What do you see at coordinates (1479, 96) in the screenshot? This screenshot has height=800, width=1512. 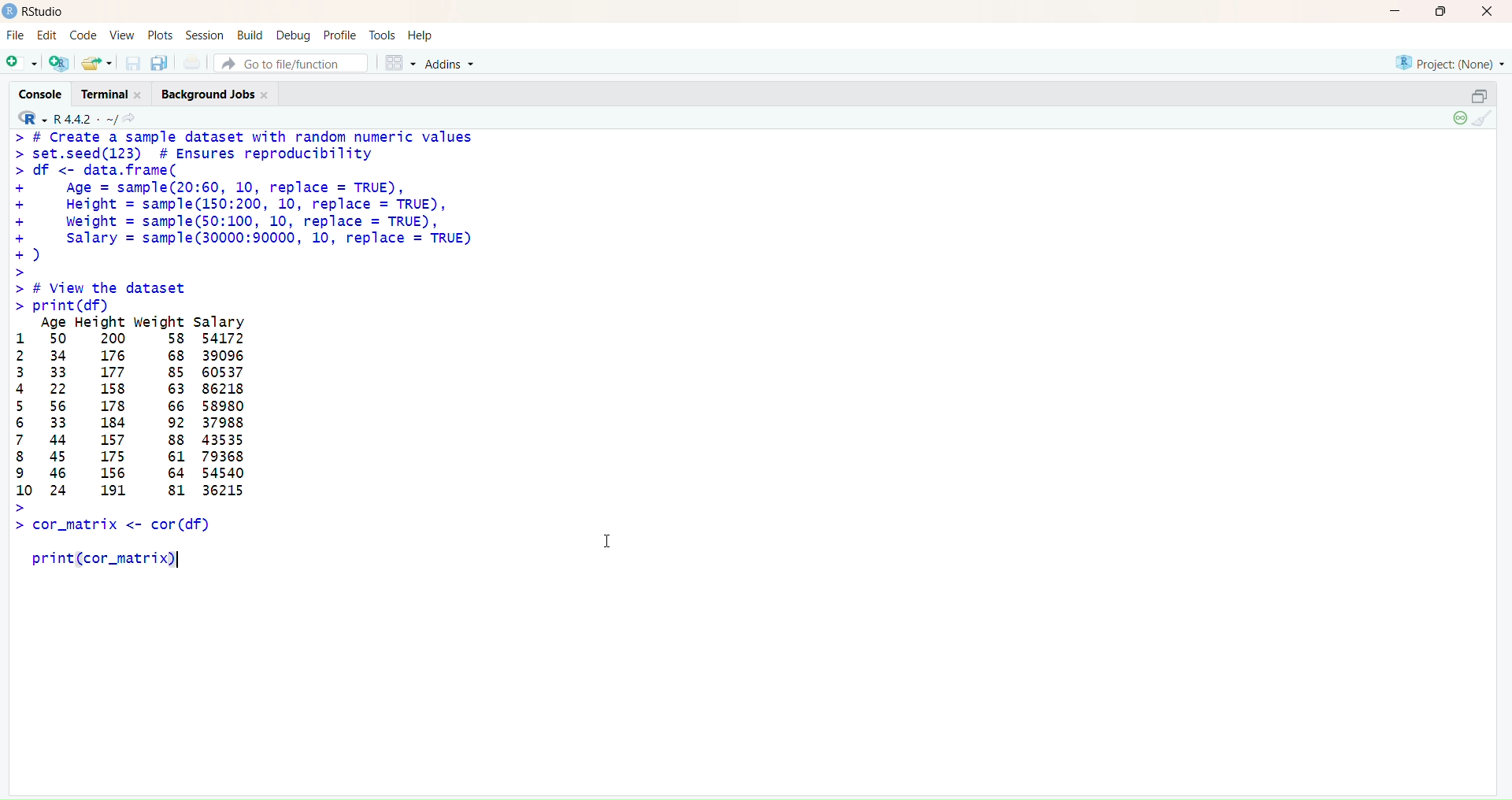 I see `Restore` at bounding box center [1479, 96].